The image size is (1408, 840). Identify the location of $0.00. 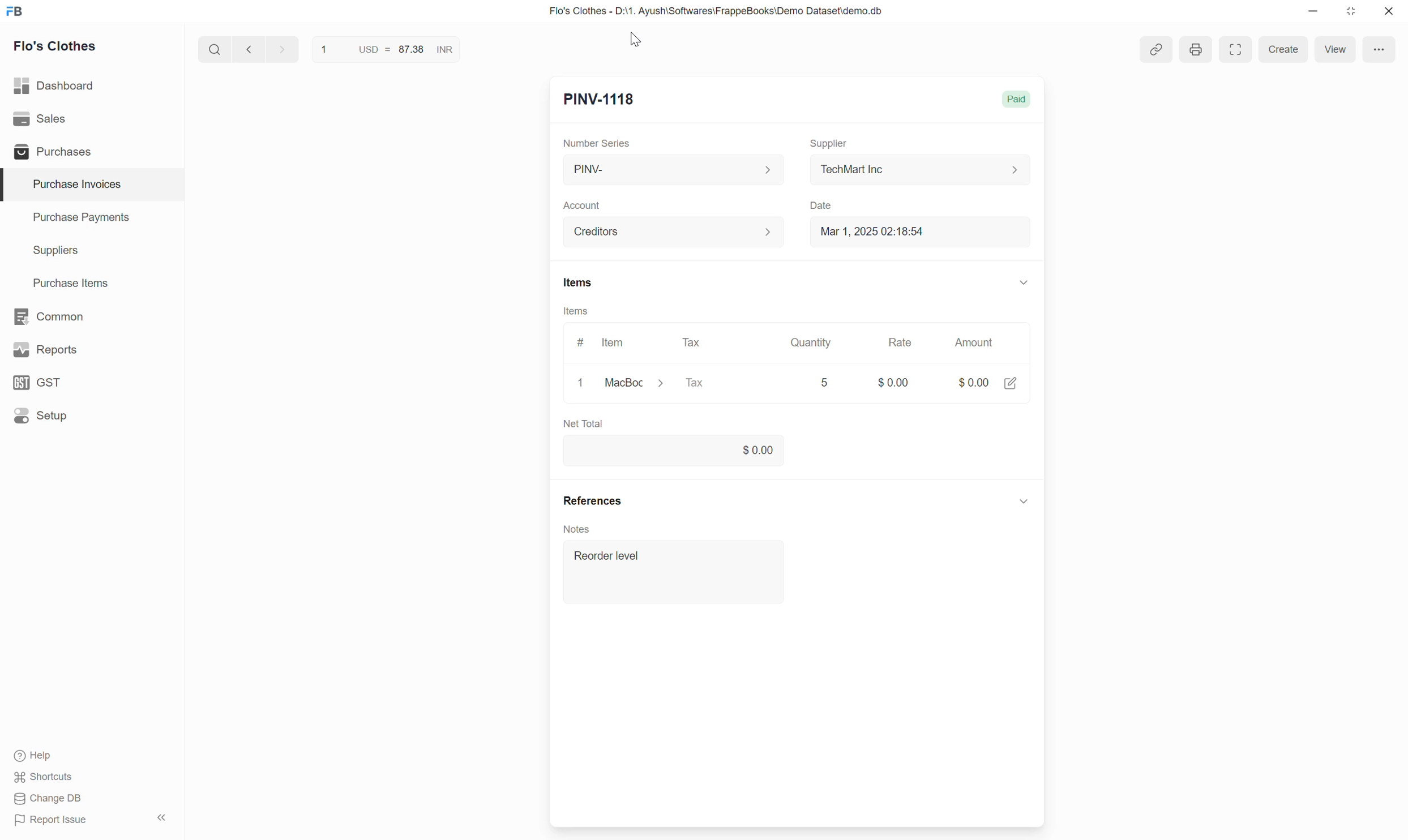
(988, 379).